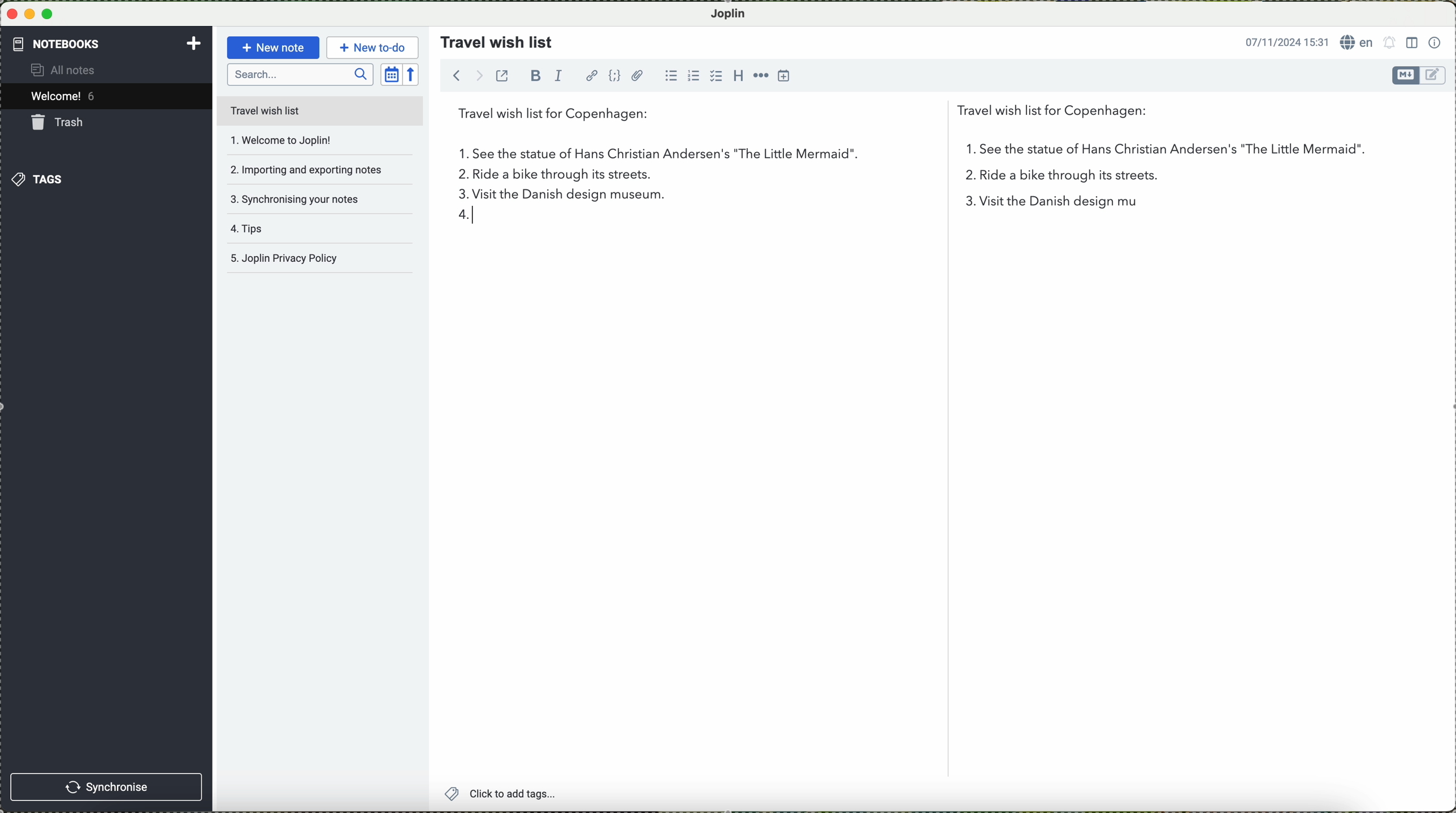 The height and width of the screenshot is (813, 1456). What do you see at coordinates (319, 110) in the screenshot?
I see `travel wish list file` at bounding box center [319, 110].